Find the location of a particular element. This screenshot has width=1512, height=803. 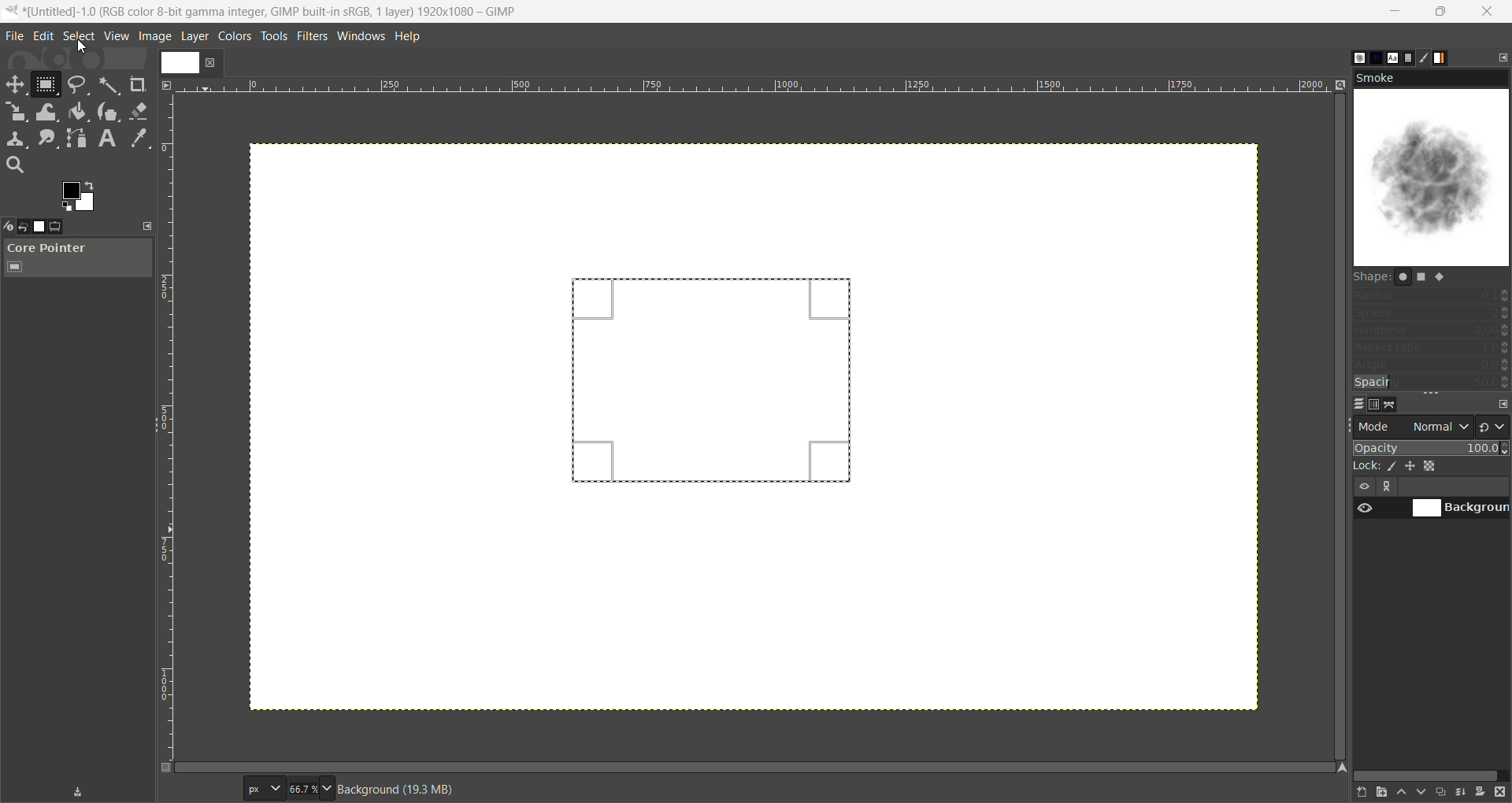

select is located at coordinates (80, 35).